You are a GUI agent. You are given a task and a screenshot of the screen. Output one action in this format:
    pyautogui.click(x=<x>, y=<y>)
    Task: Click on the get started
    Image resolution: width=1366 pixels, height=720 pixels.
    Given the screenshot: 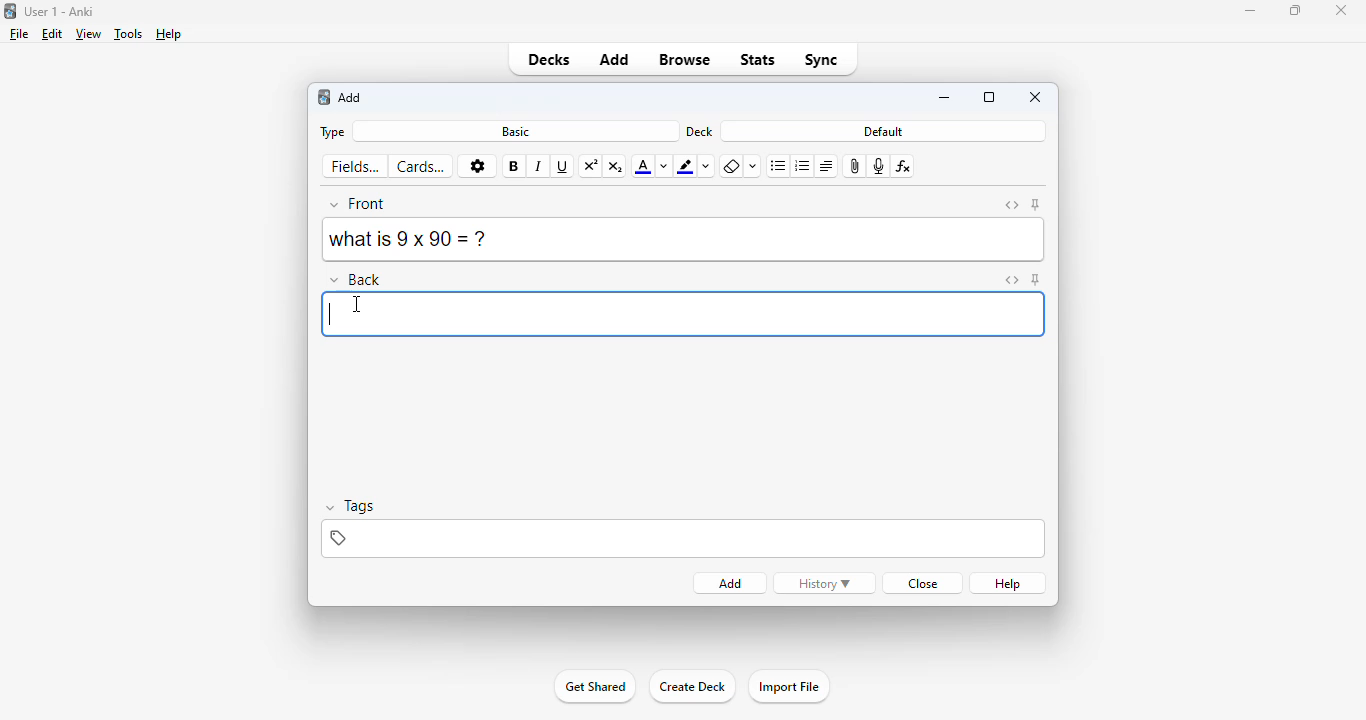 What is the action you would take?
    pyautogui.click(x=595, y=686)
    